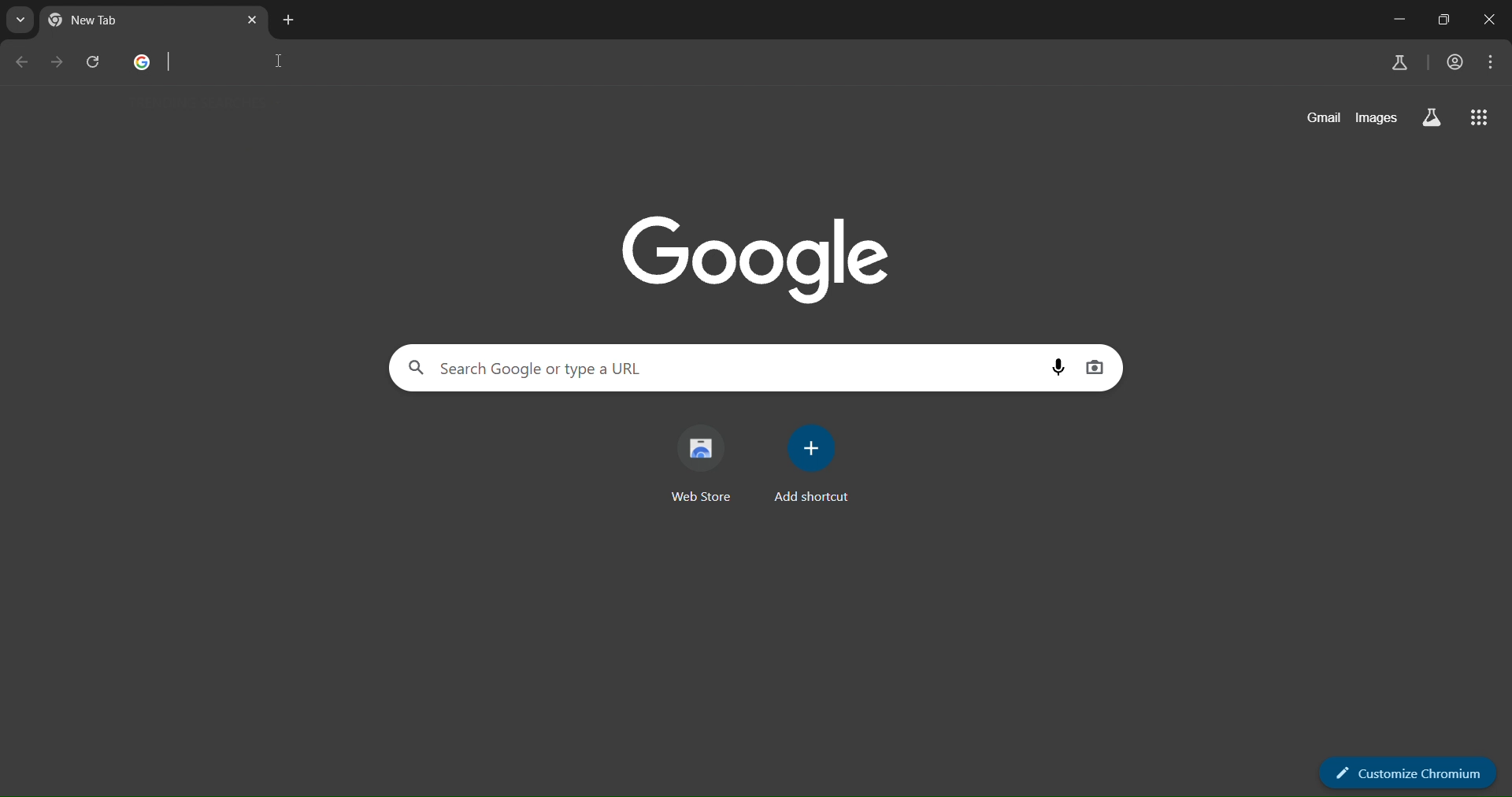 This screenshot has height=797, width=1512. Describe the element at coordinates (1317, 118) in the screenshot. I see `Gmail` at that location.